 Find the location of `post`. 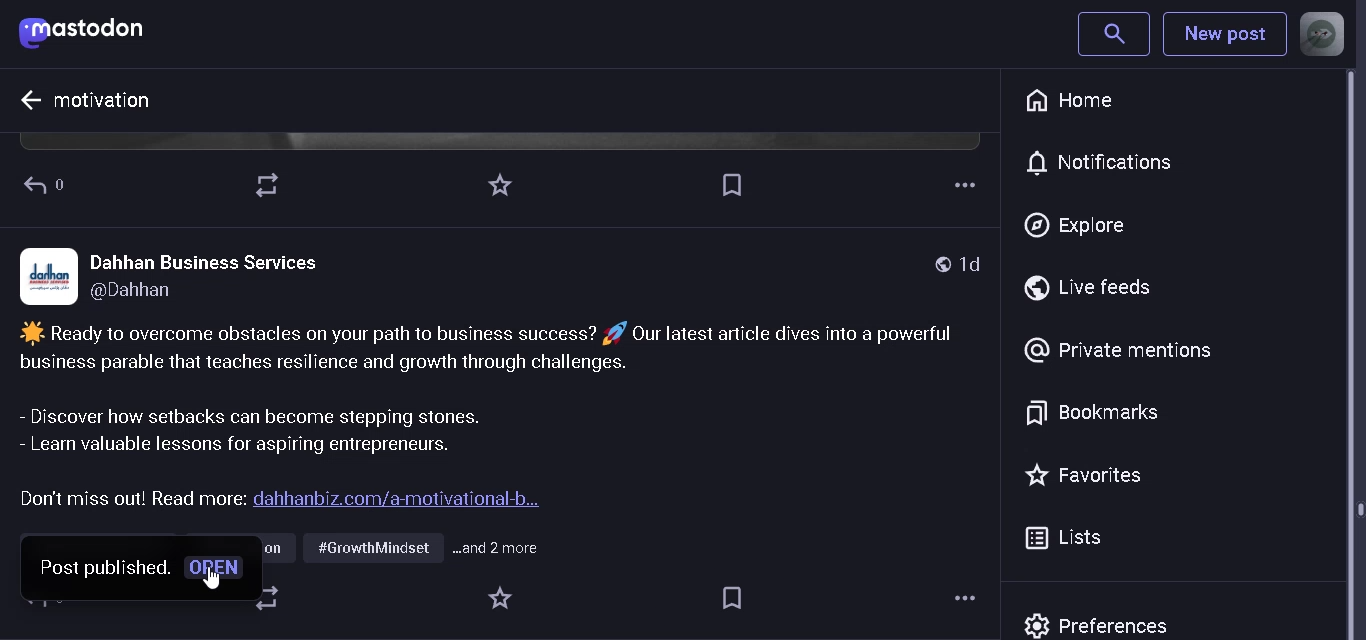

post is located at coordinates (505, 416).